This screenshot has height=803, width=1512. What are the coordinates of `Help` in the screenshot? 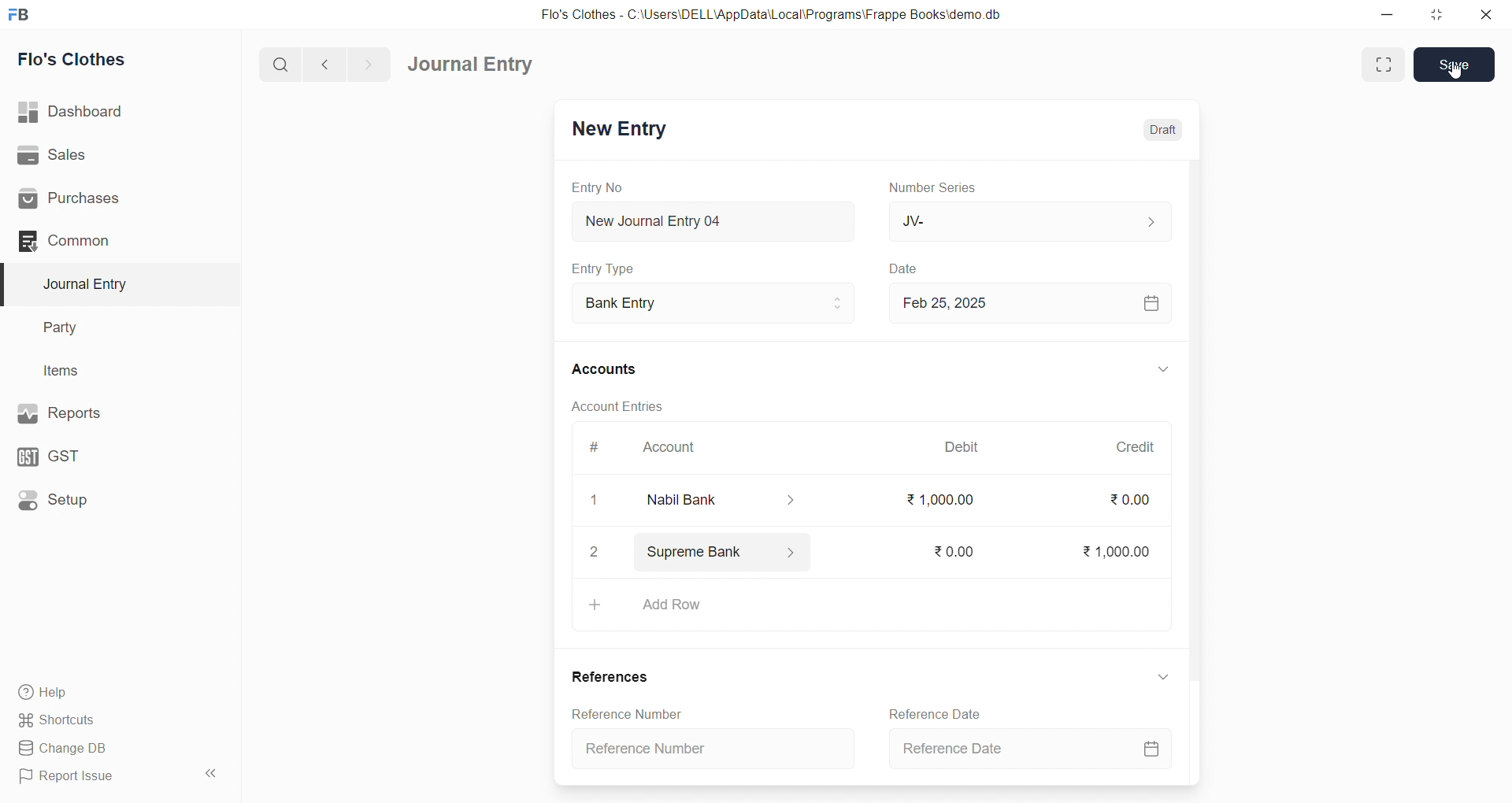 It's located at (114, 691).